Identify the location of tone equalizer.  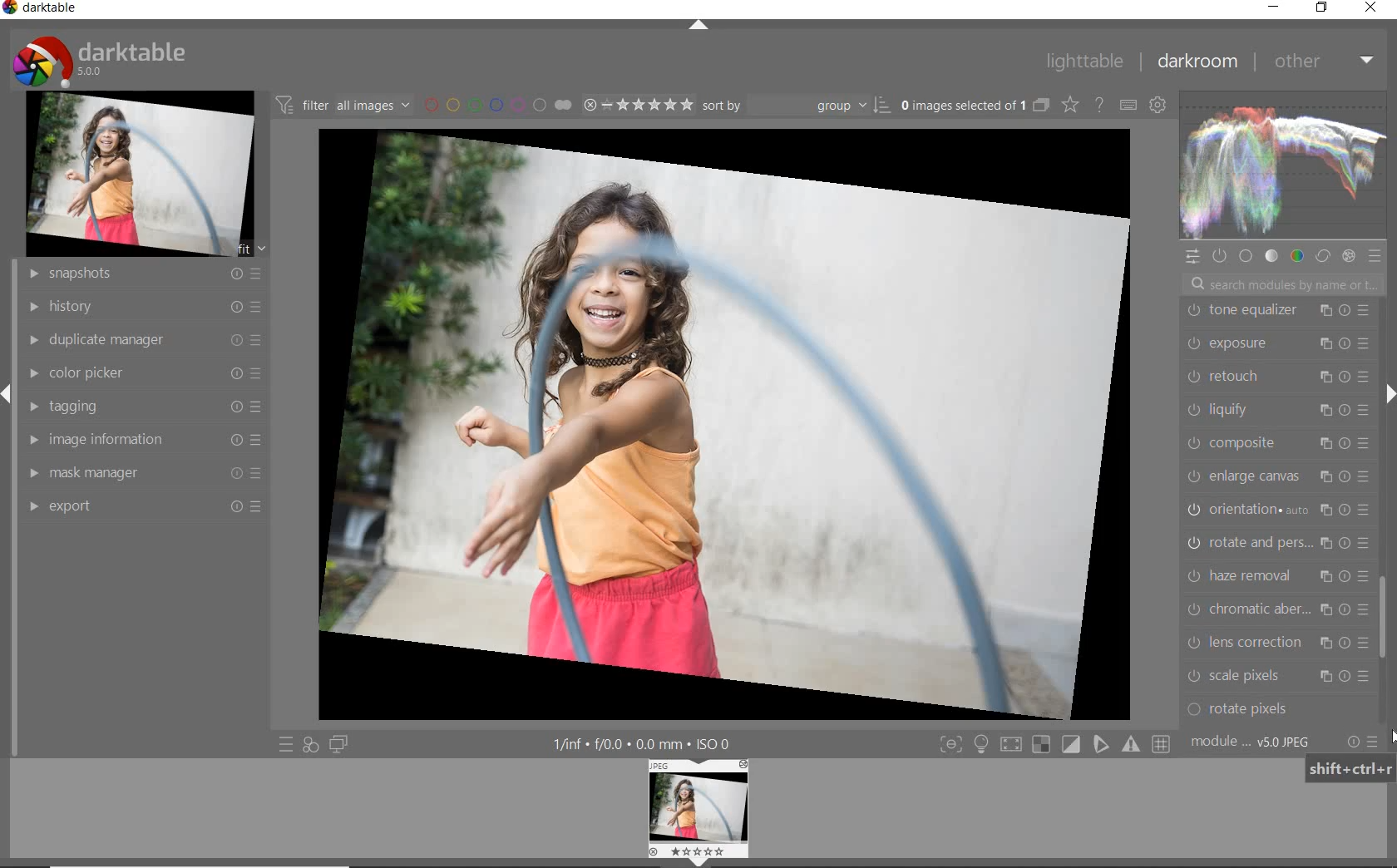
(1279, 313).